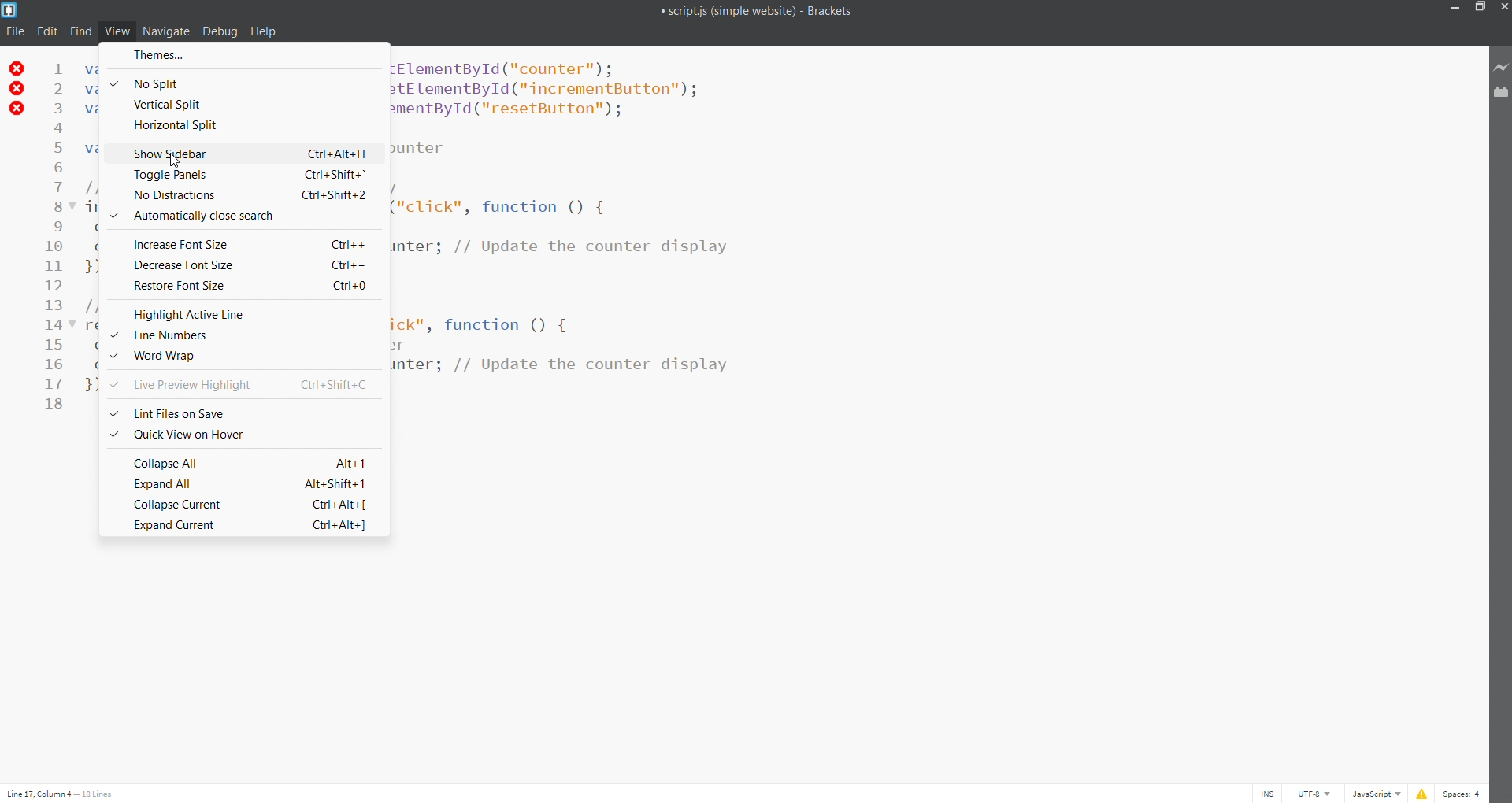  I want to click on help, so click(265, 31).